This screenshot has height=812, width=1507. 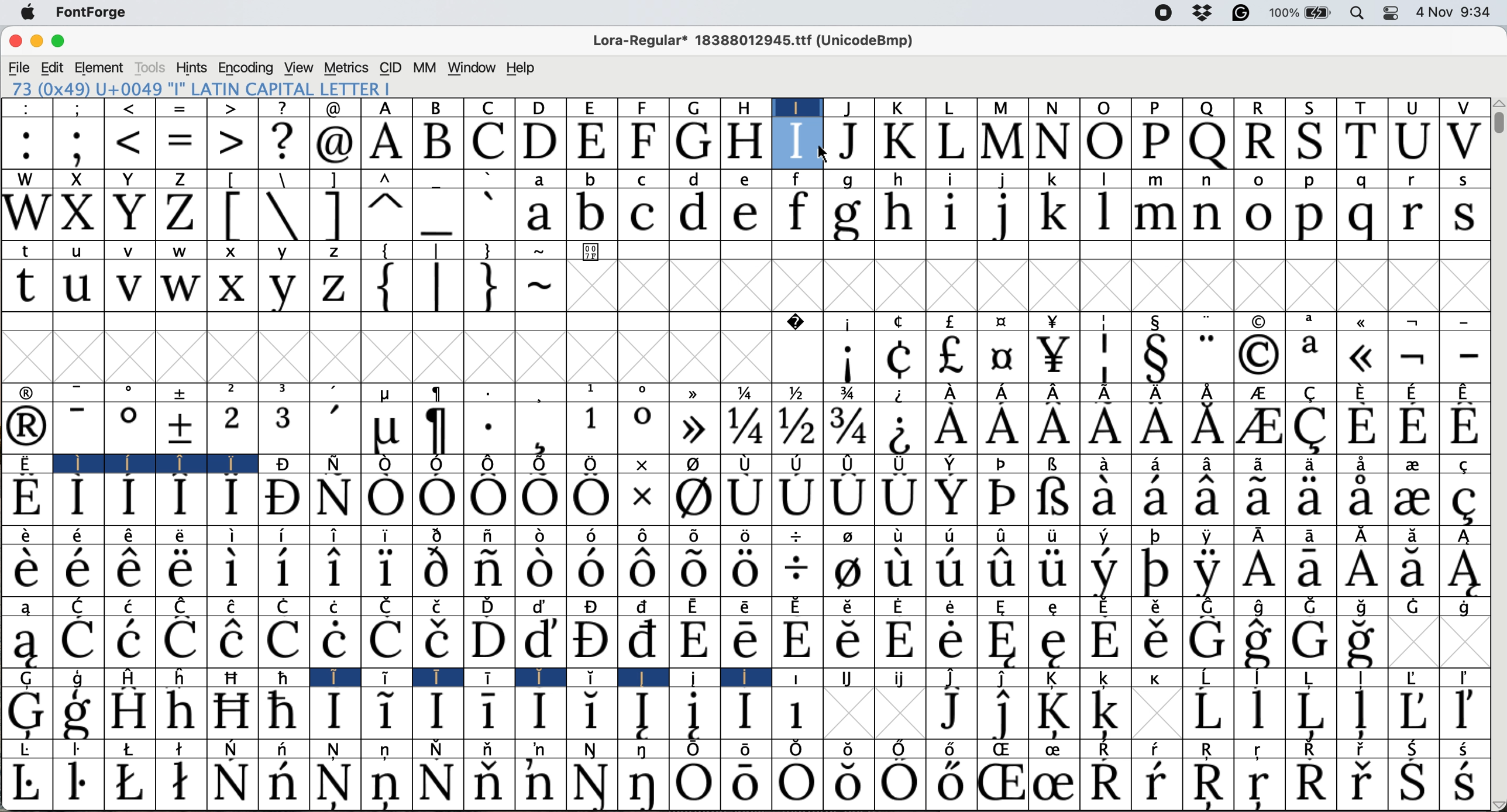 I want to click on v, so click(x=131, y=253).